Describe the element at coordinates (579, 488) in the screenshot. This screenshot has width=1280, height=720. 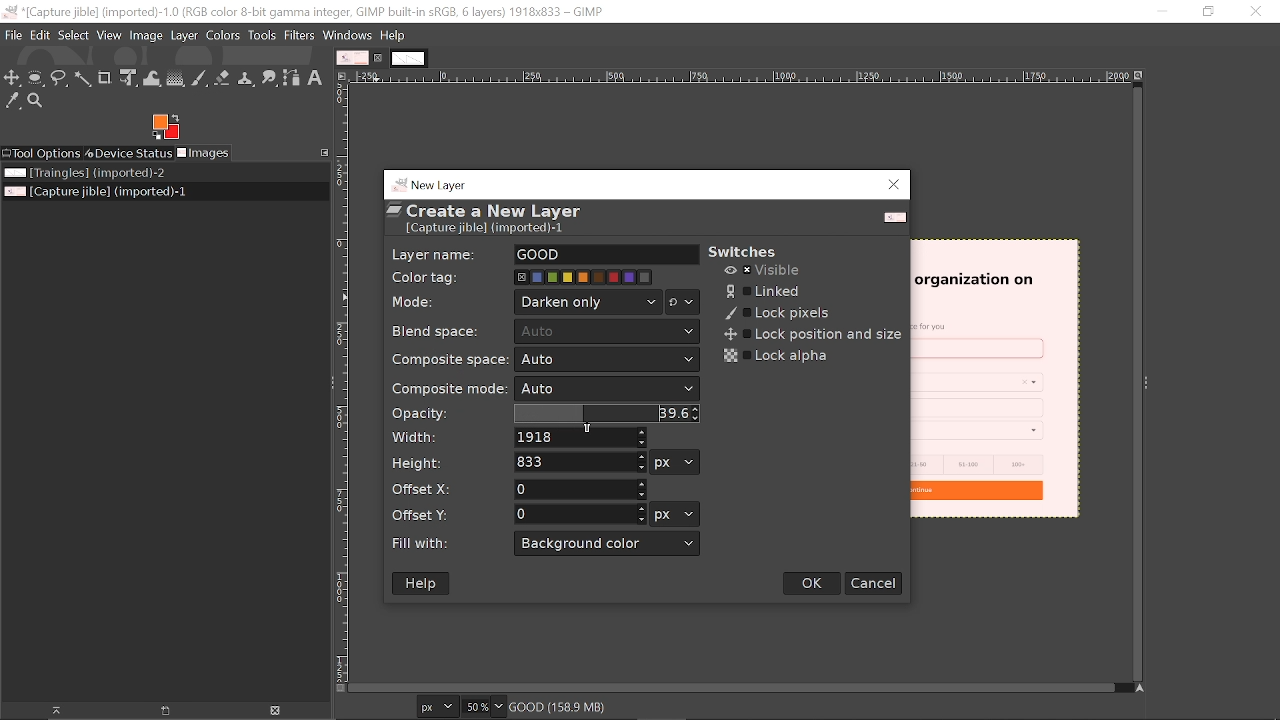
I see `offset X` at that location.